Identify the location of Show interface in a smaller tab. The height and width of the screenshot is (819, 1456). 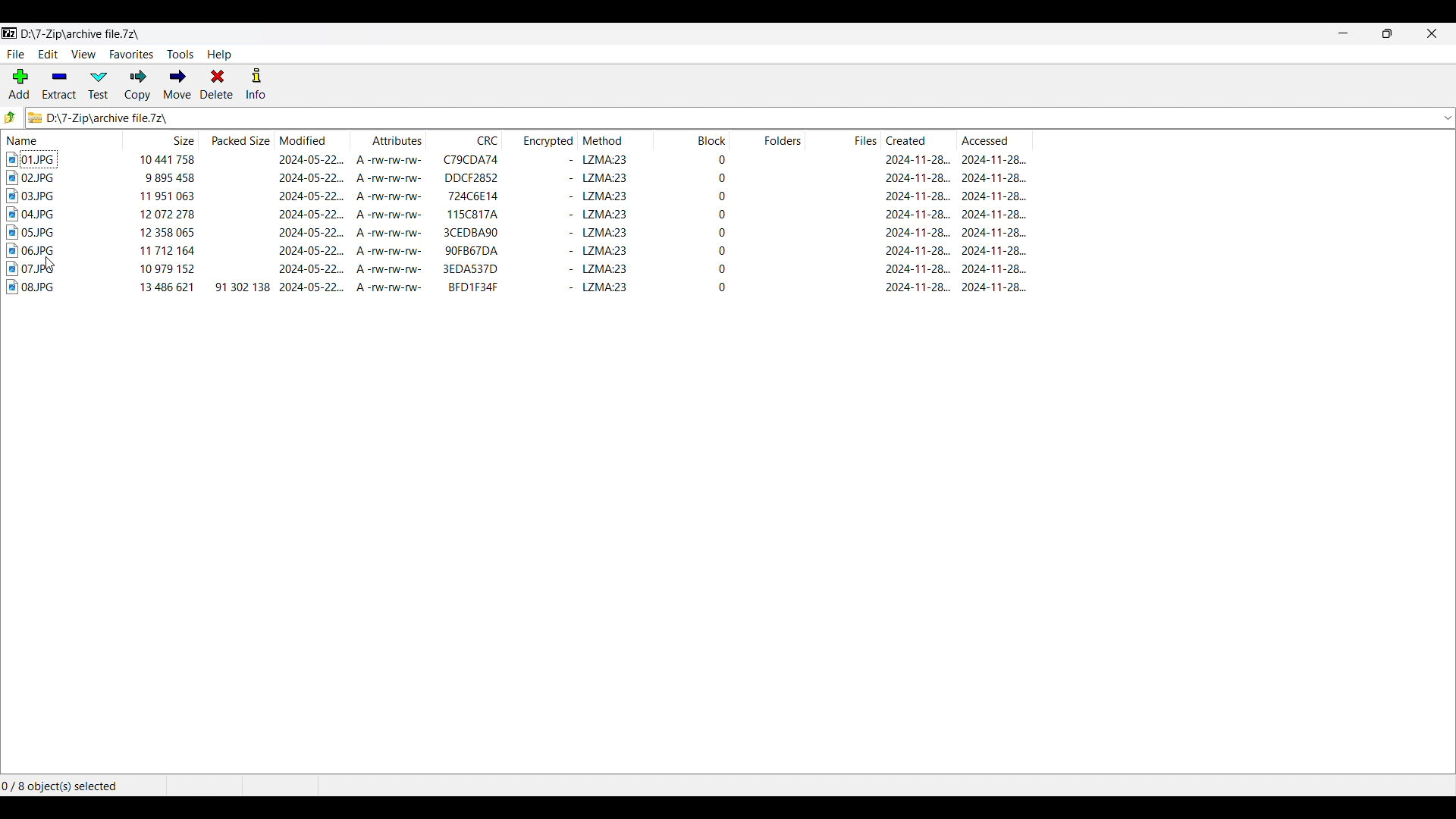
(1388, 33).